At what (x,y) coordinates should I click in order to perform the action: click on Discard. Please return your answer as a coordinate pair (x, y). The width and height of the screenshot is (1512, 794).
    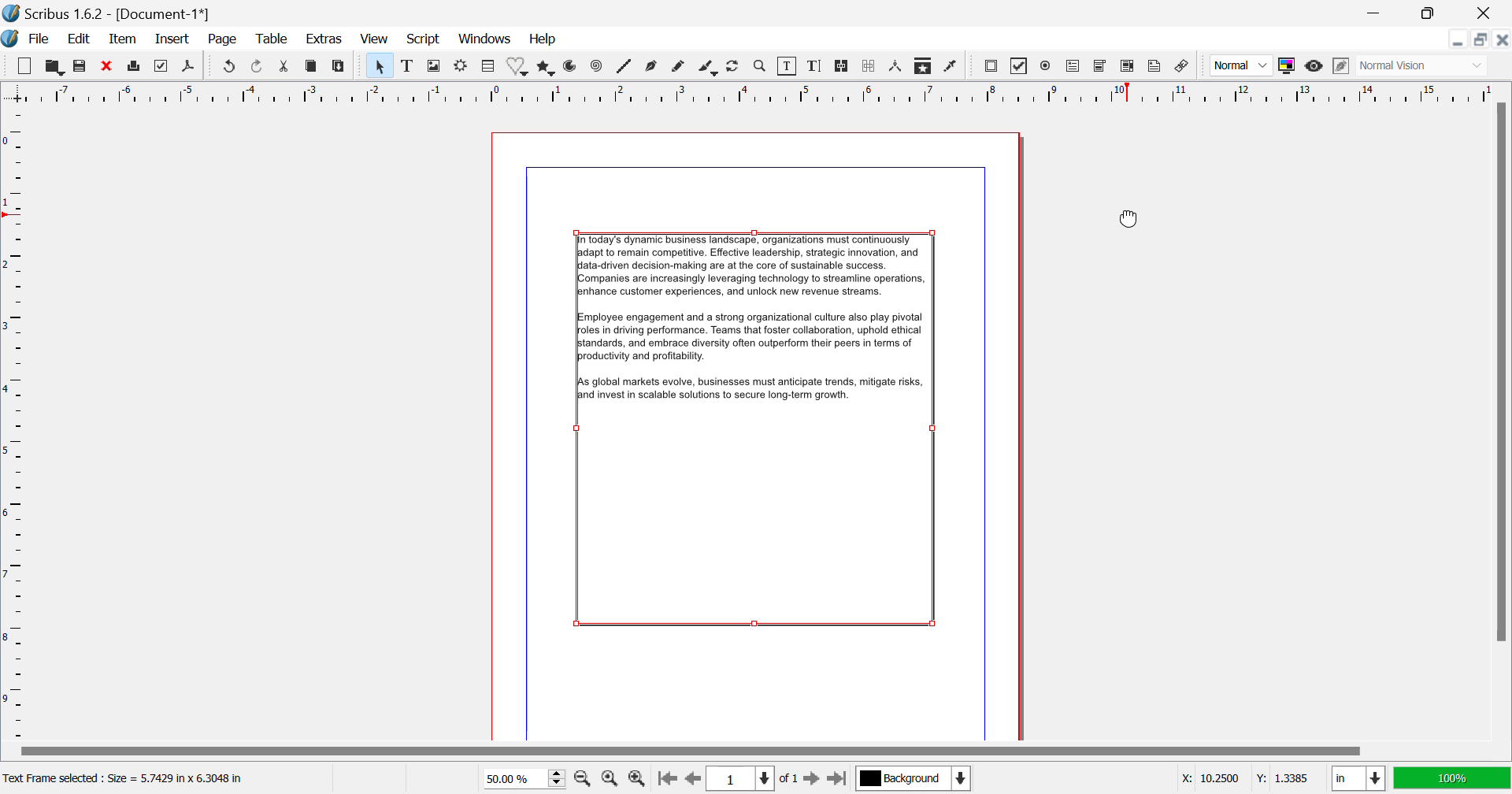
    Looking at the image, I should click on (108, 66).